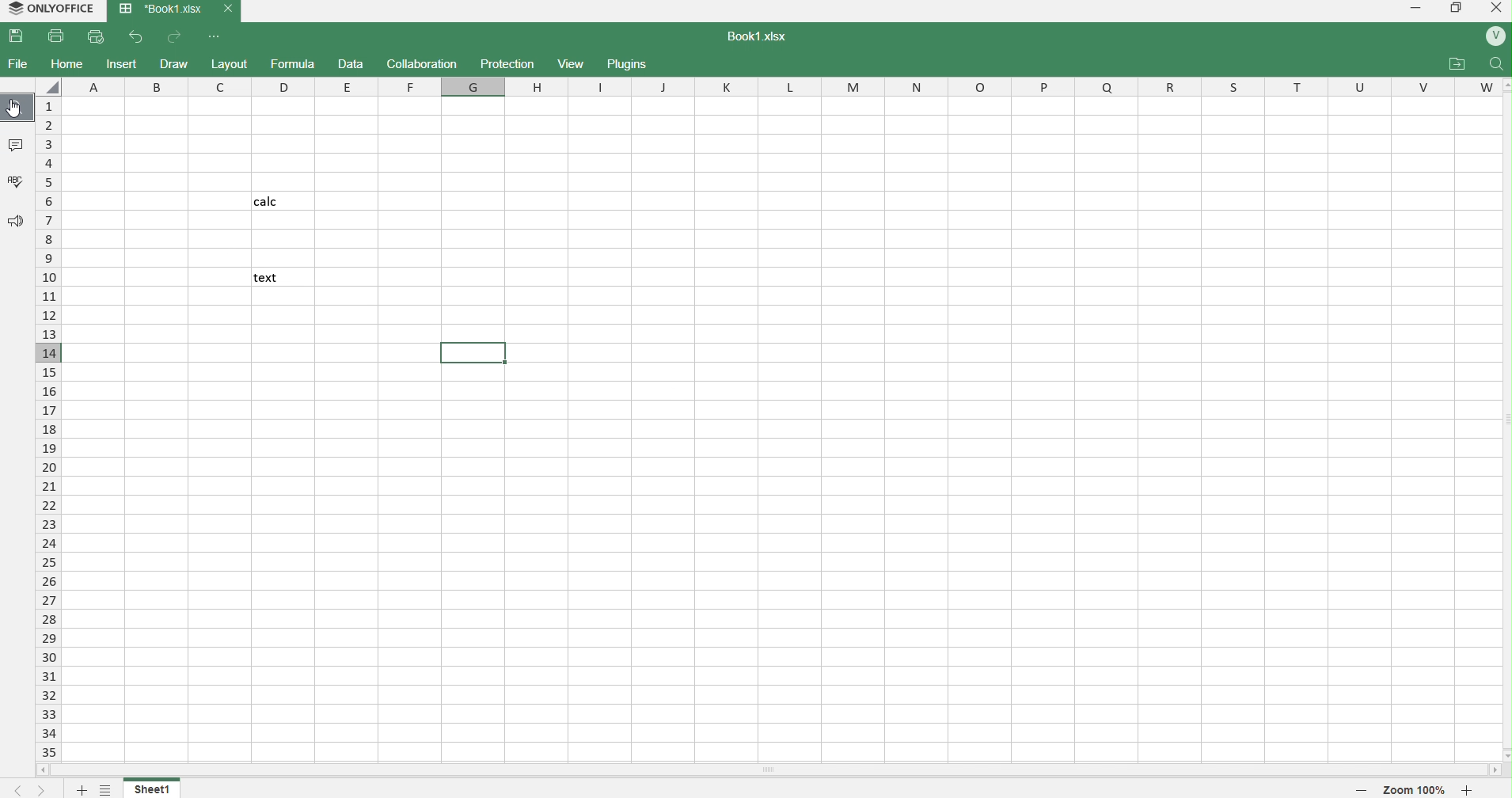 This screenshot has width=1512, height=798. I want to click on profile, so click(1491, 36).